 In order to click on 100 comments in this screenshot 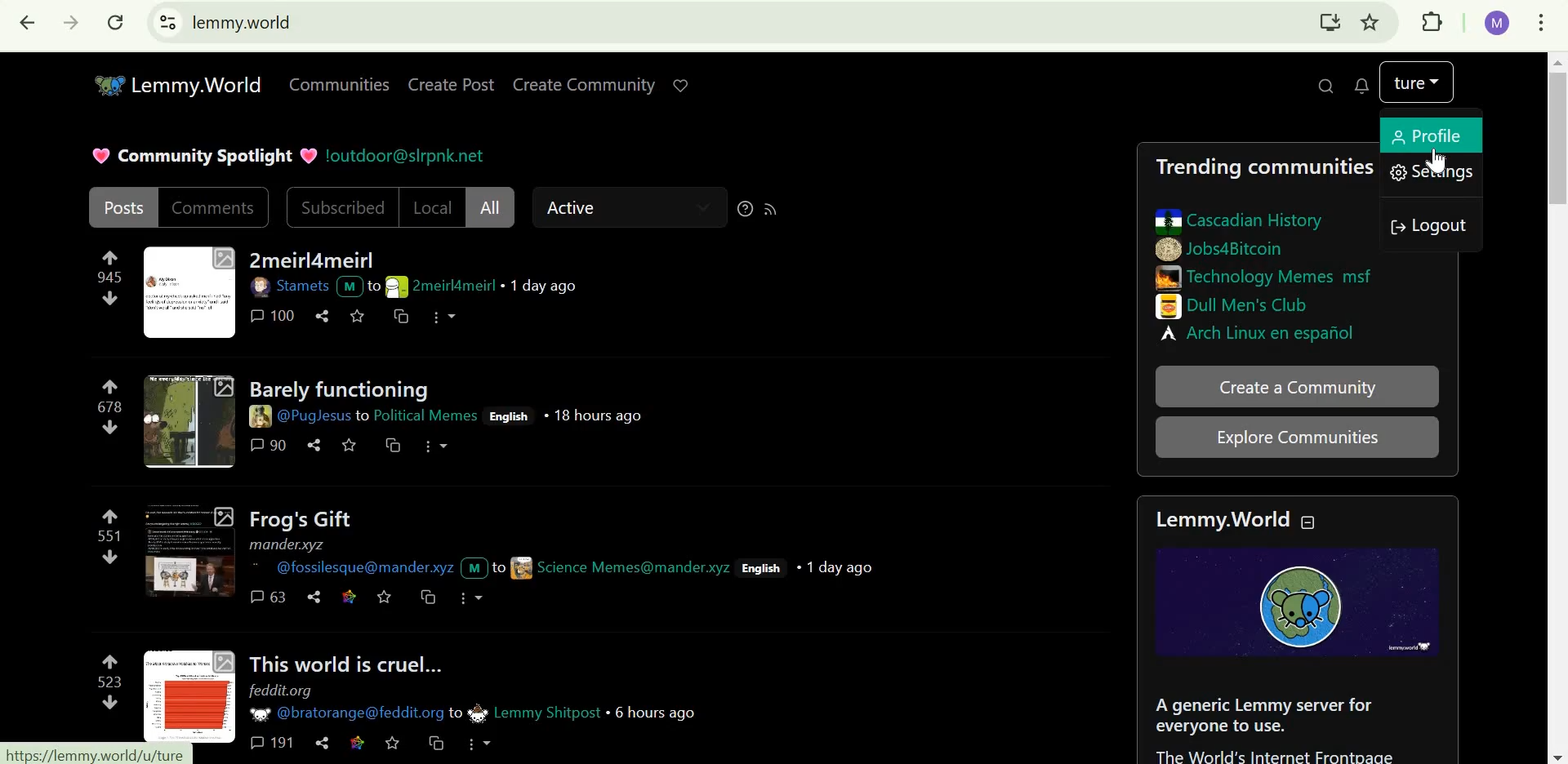, I will do `click(274, 315)`.